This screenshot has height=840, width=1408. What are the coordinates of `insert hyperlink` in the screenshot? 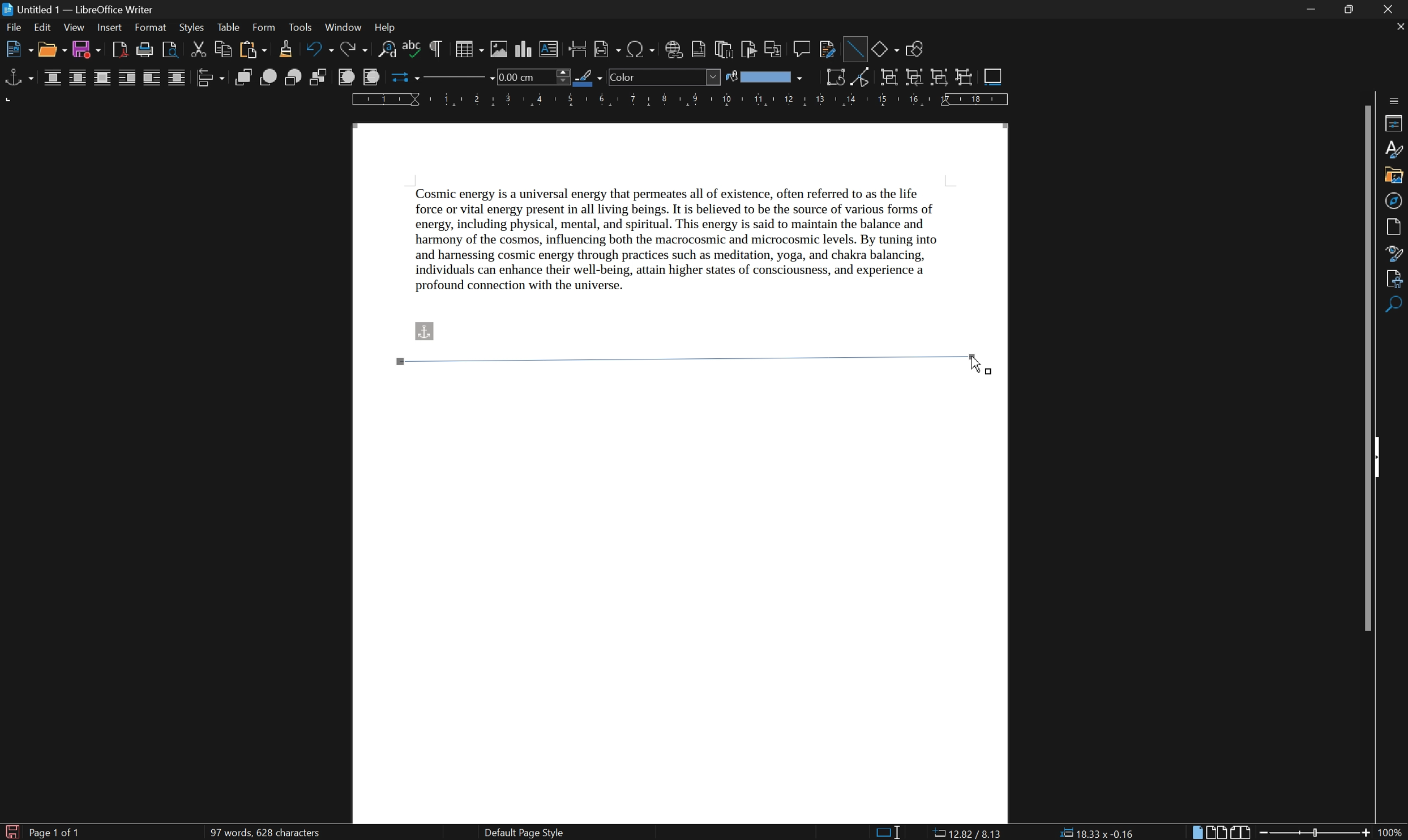 It's located at (674, 49).